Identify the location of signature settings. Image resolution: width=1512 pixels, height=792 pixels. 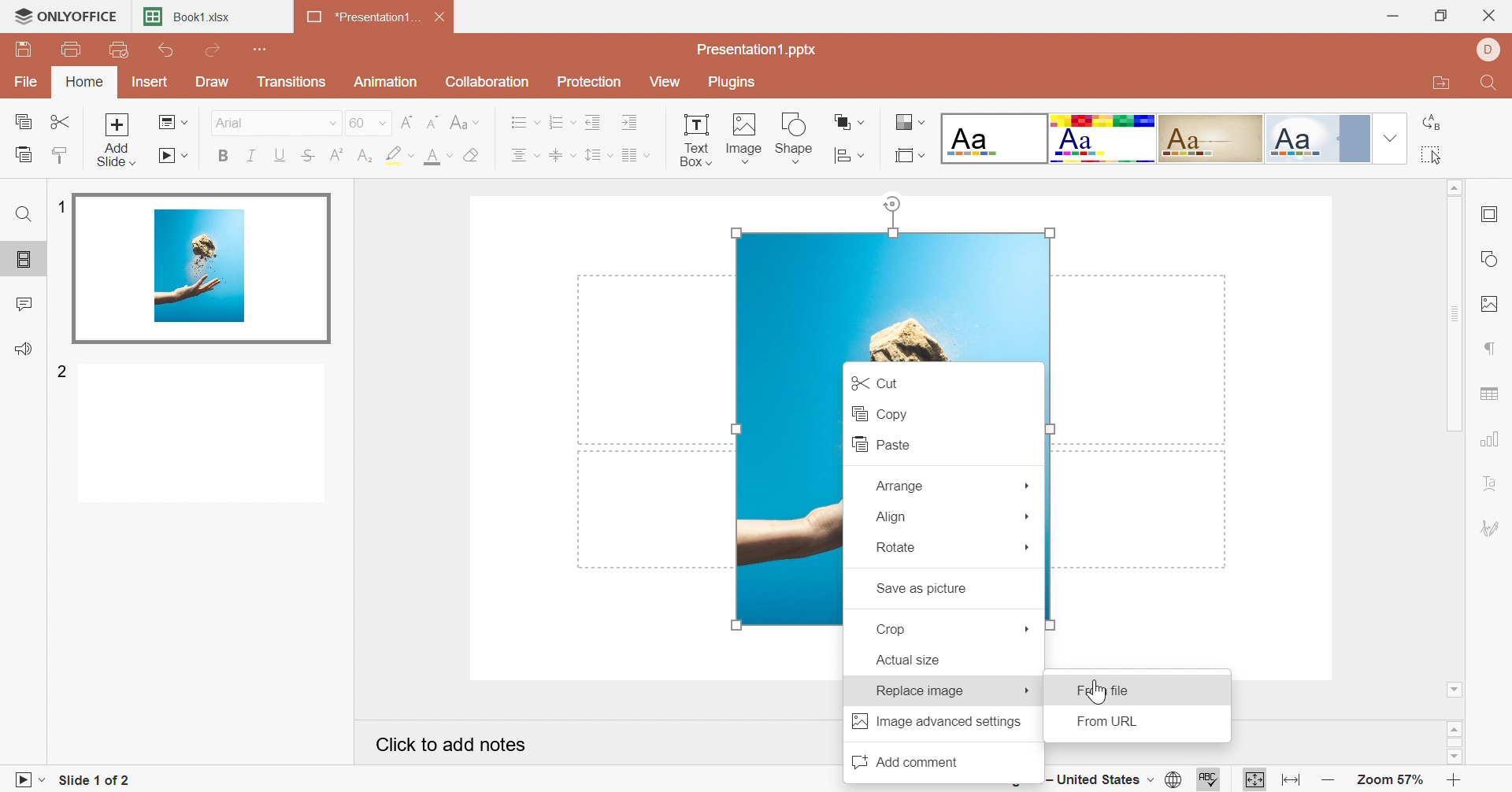
(1495, 529).